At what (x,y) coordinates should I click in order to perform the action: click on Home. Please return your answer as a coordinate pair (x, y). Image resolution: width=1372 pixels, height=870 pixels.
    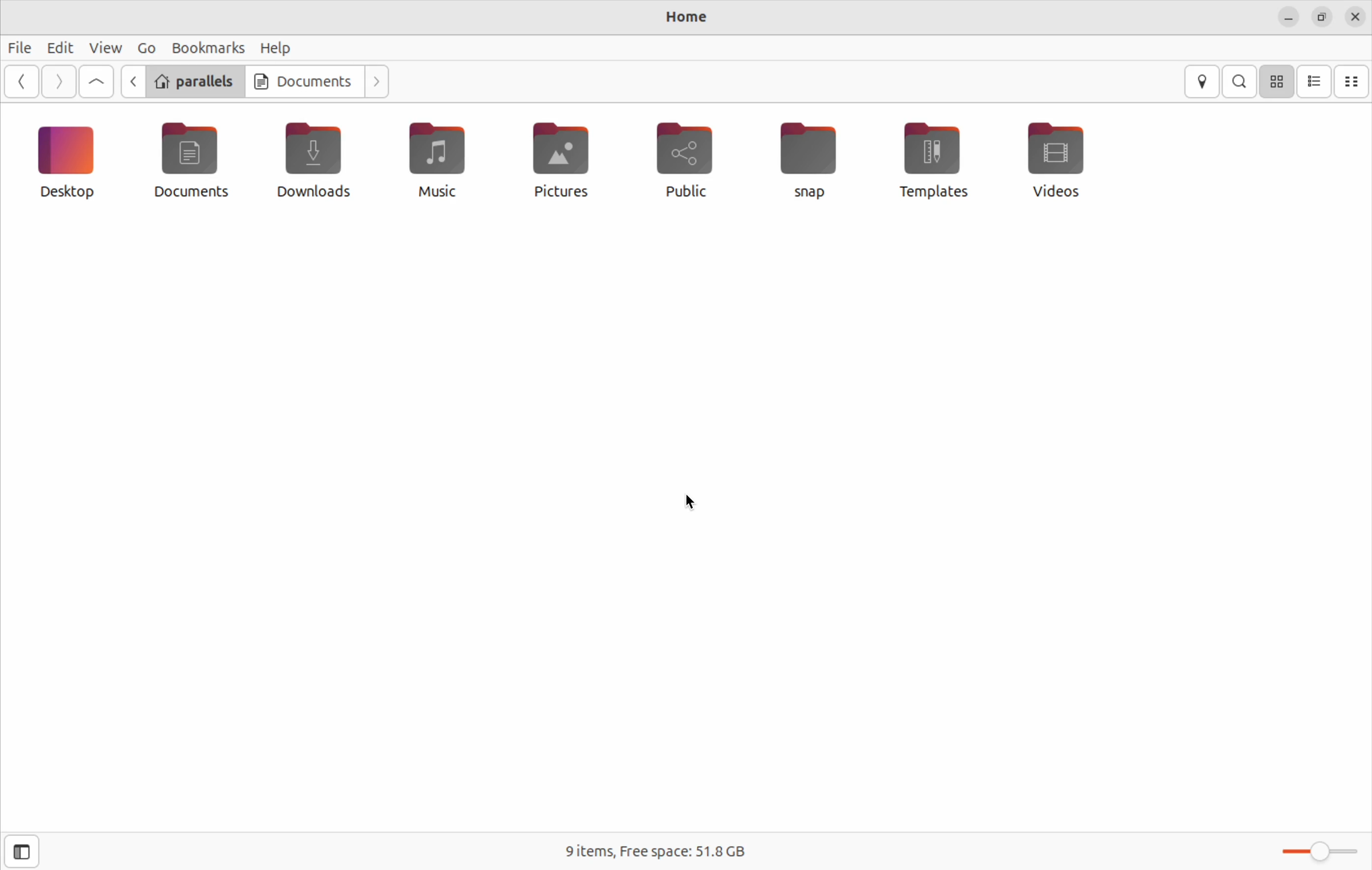
    Looking at the image, I should click on (690, 18).